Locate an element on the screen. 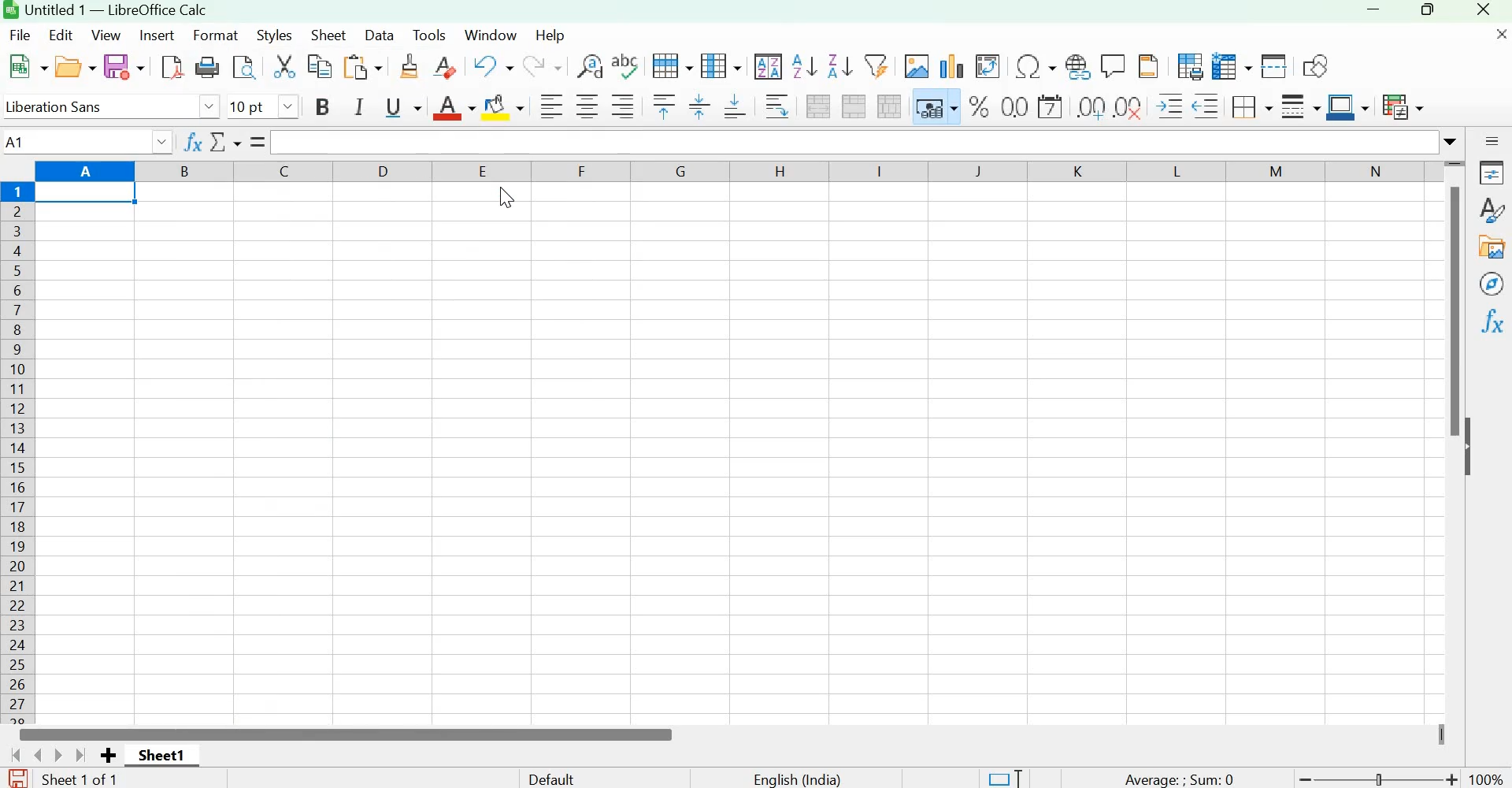 This screenshot has width=1512, height=788. Name box is located at coordinates (90, 139).